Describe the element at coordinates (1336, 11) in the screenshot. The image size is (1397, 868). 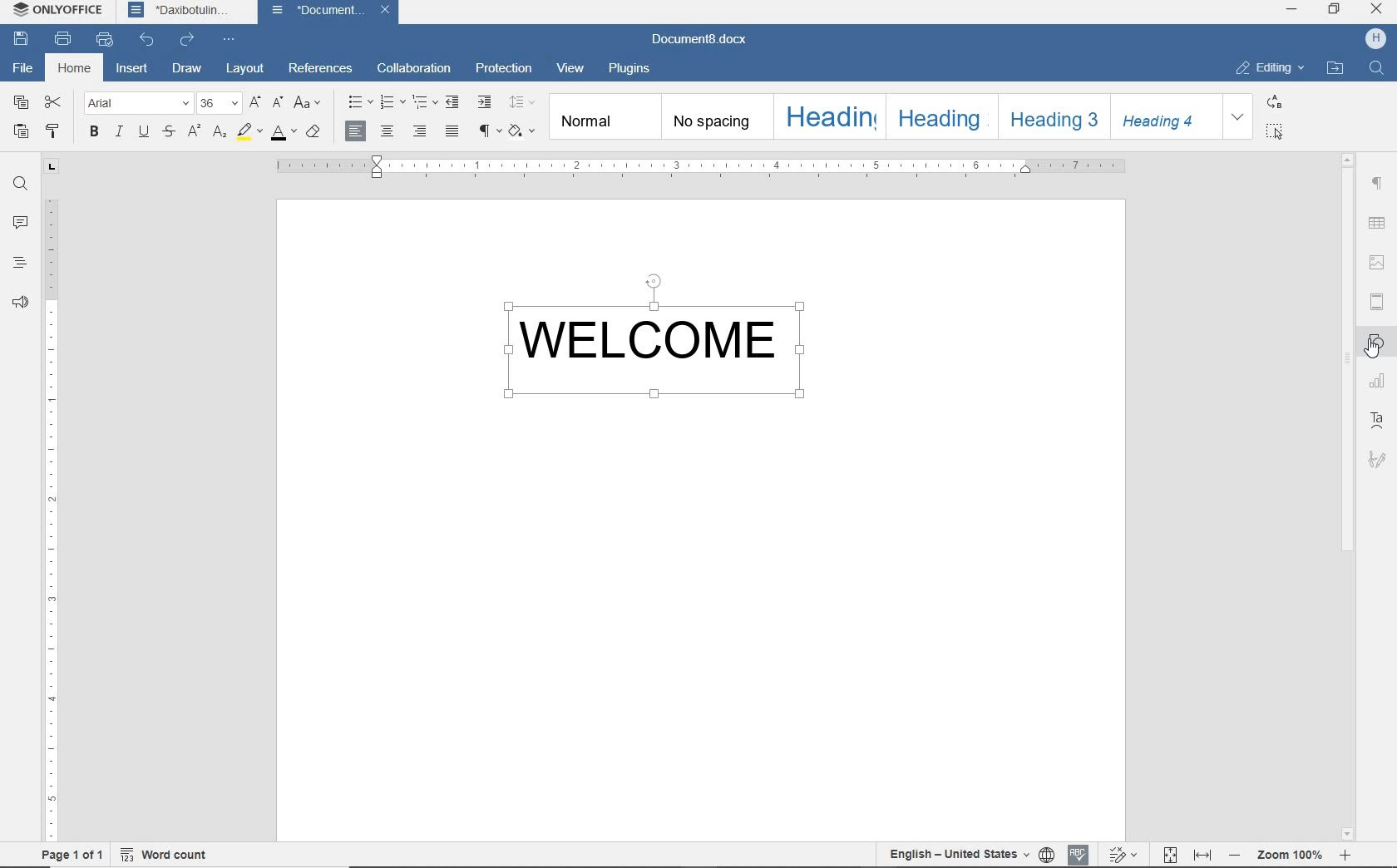
I see `RESTORE DOWN` at that location.